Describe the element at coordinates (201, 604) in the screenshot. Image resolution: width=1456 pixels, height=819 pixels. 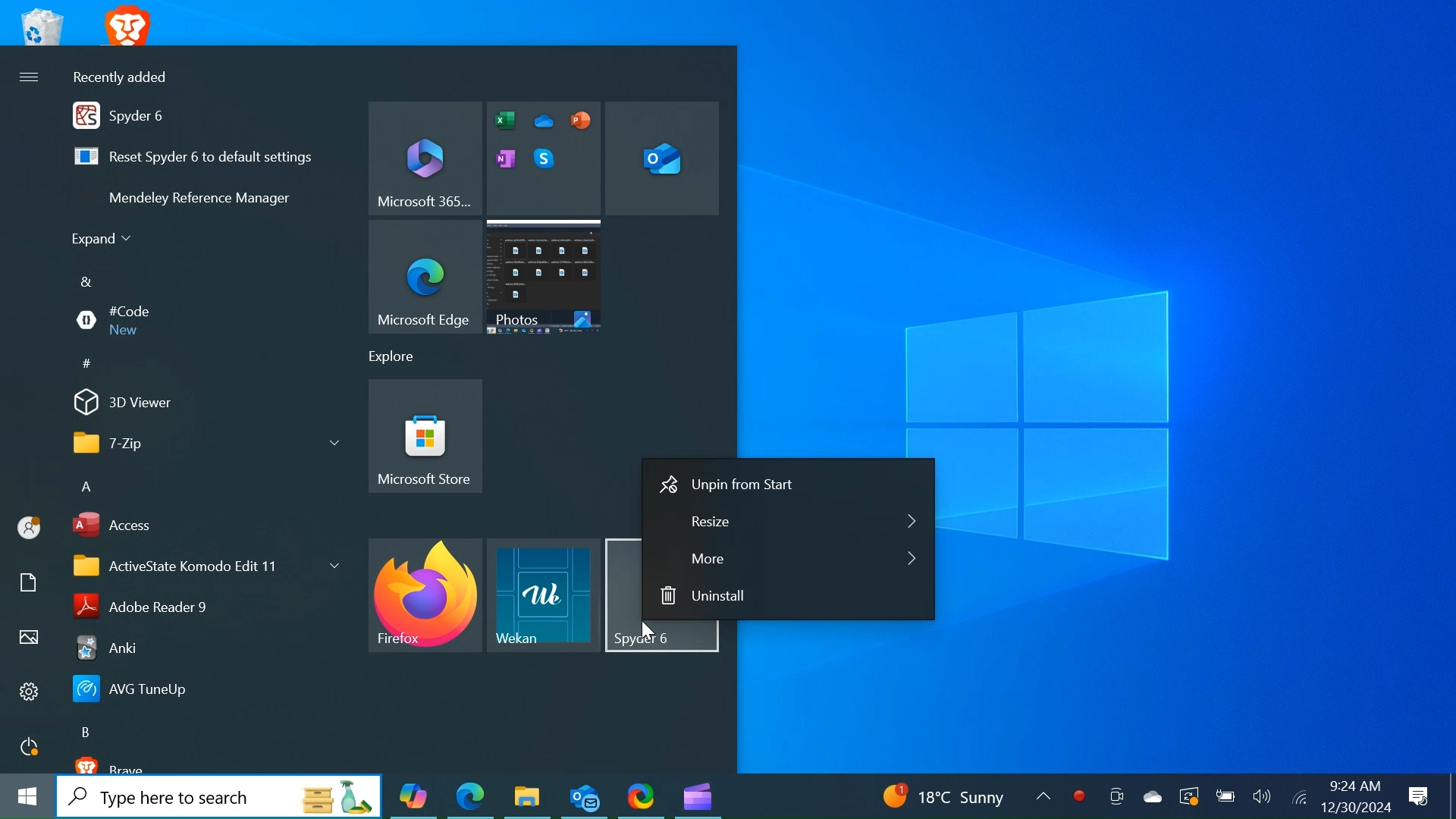
I see `Adobe Reader 9` at that location.